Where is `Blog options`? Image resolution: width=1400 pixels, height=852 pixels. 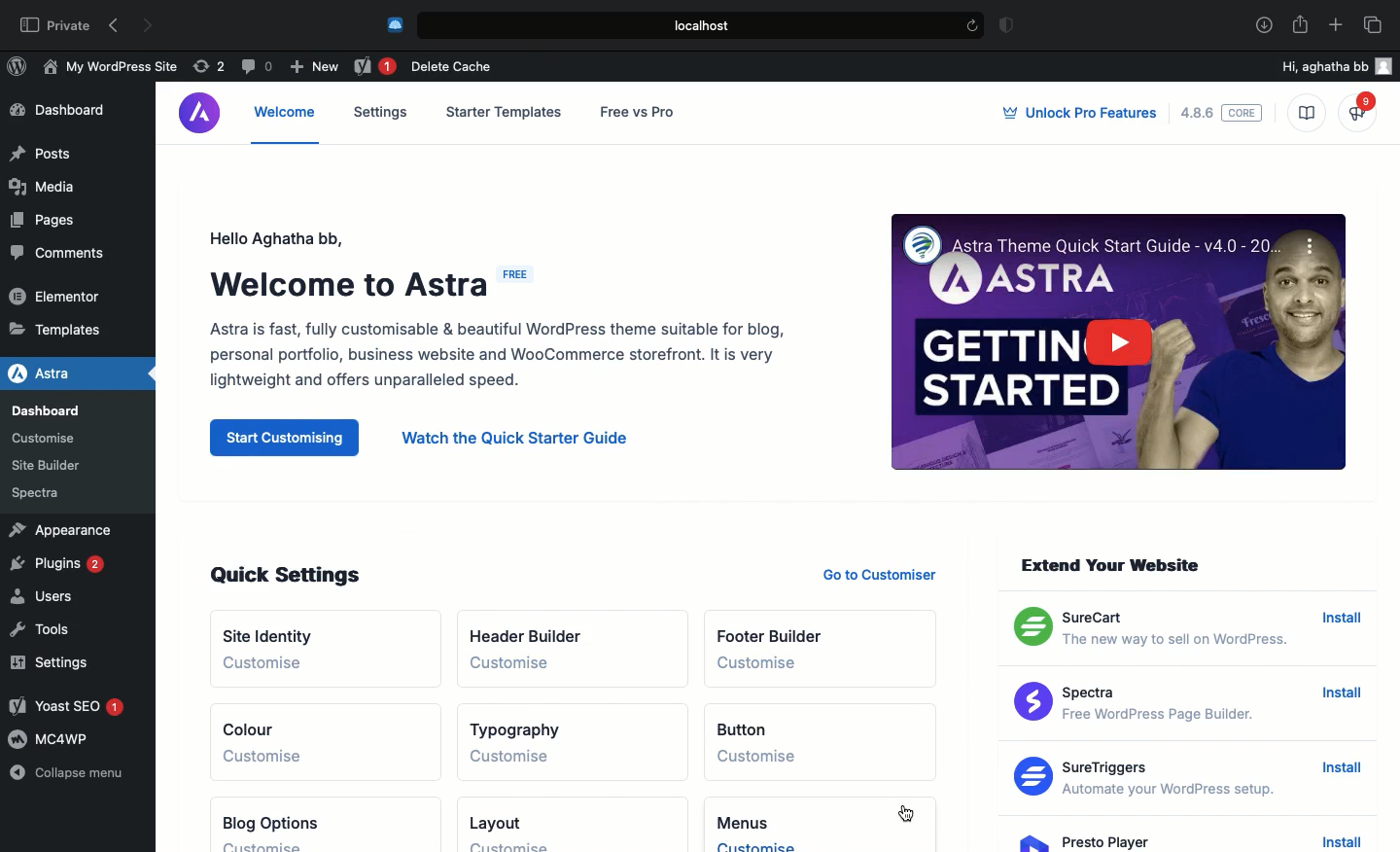 Blog options is located at coordinates (271, 822).